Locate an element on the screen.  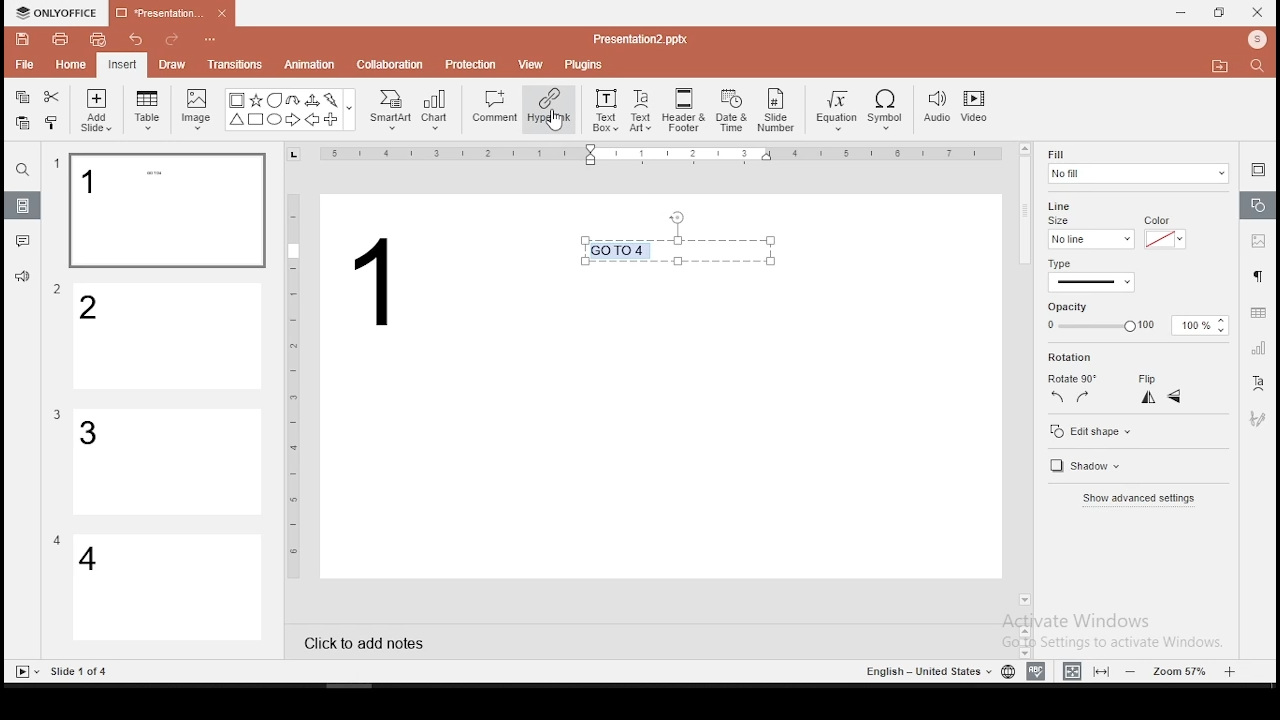
add slide is located at coordinates (96, 110).